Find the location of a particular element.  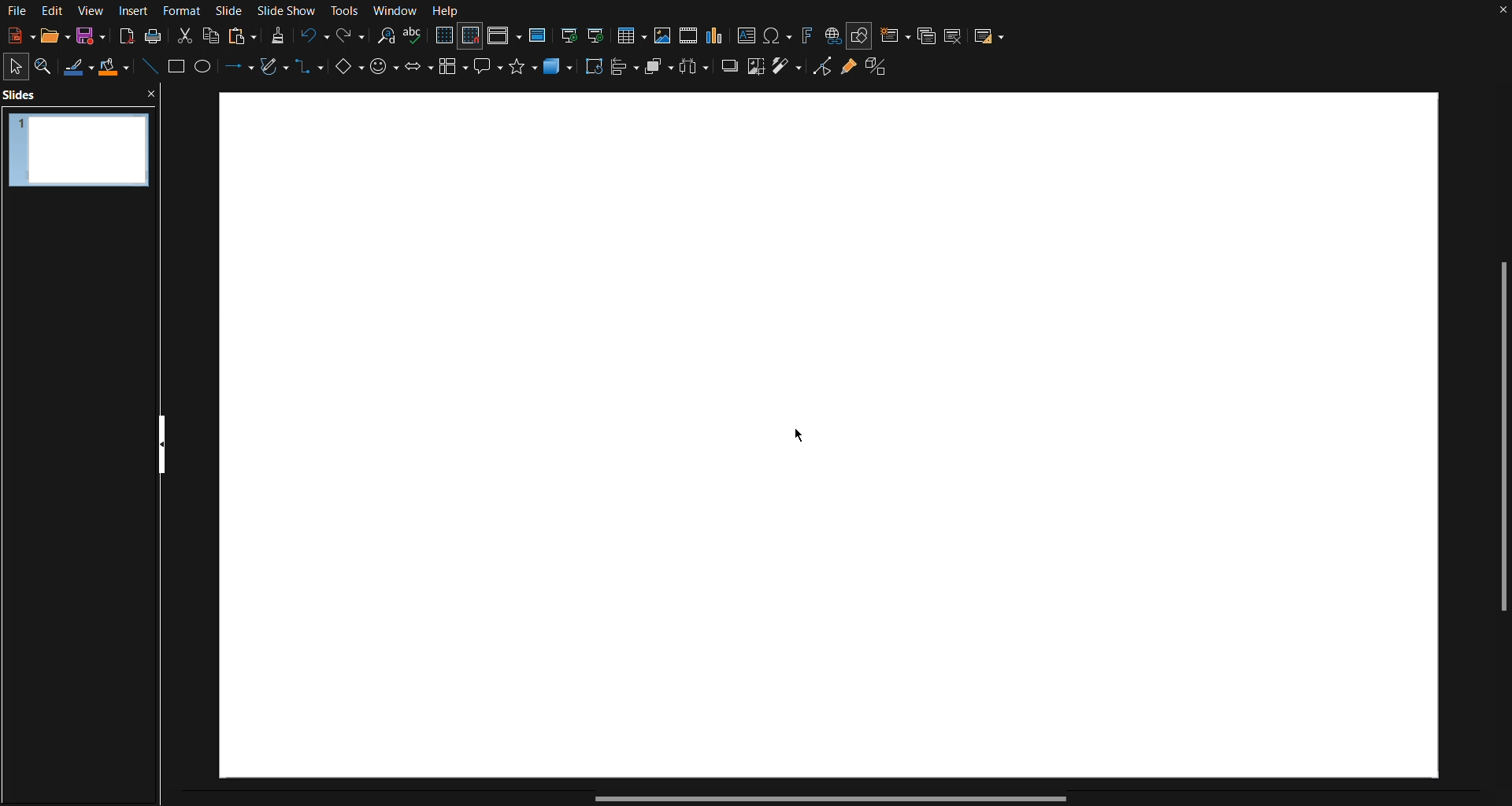

Connectors is located at coordinates (310, 73).